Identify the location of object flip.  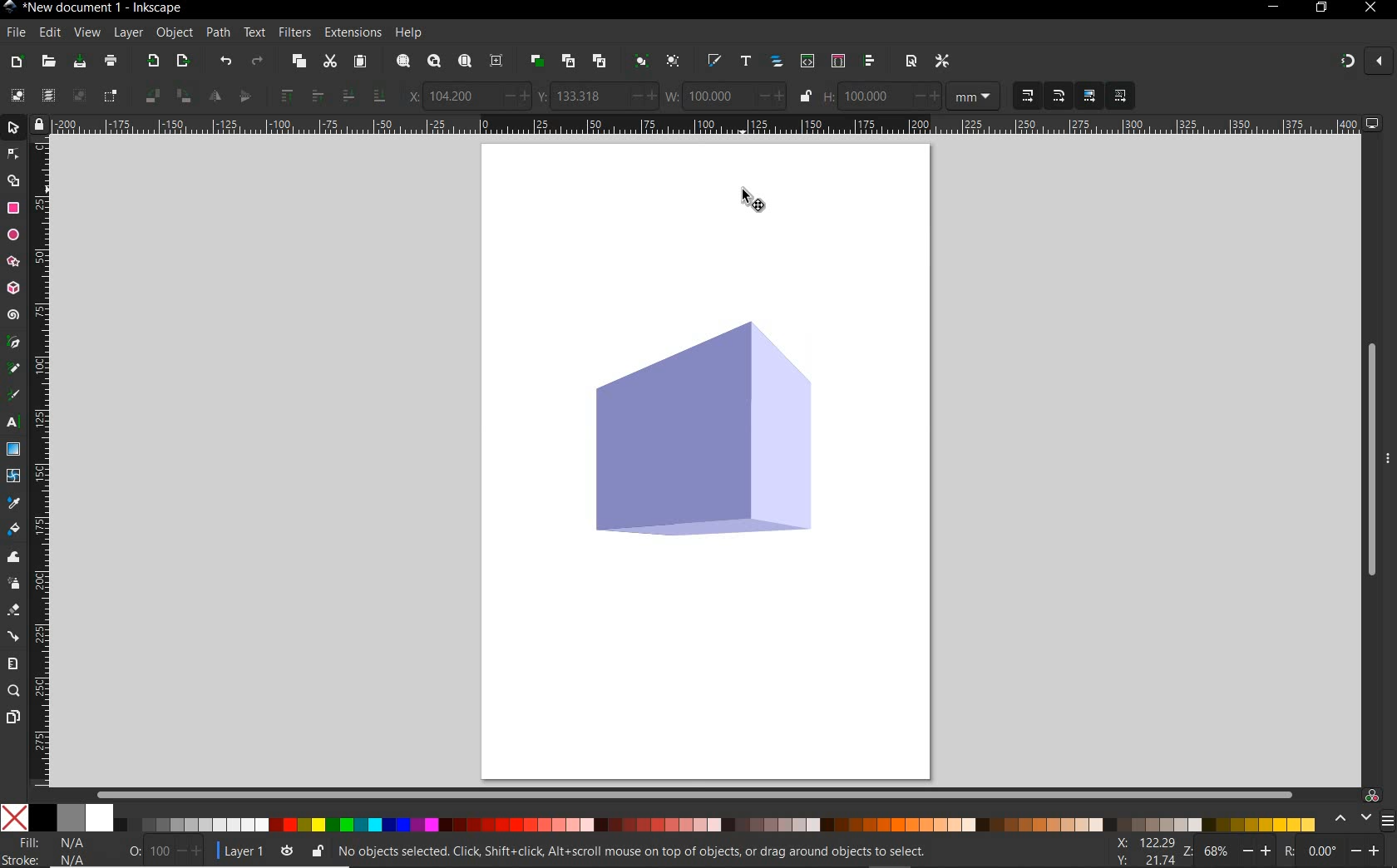
(213, 97).